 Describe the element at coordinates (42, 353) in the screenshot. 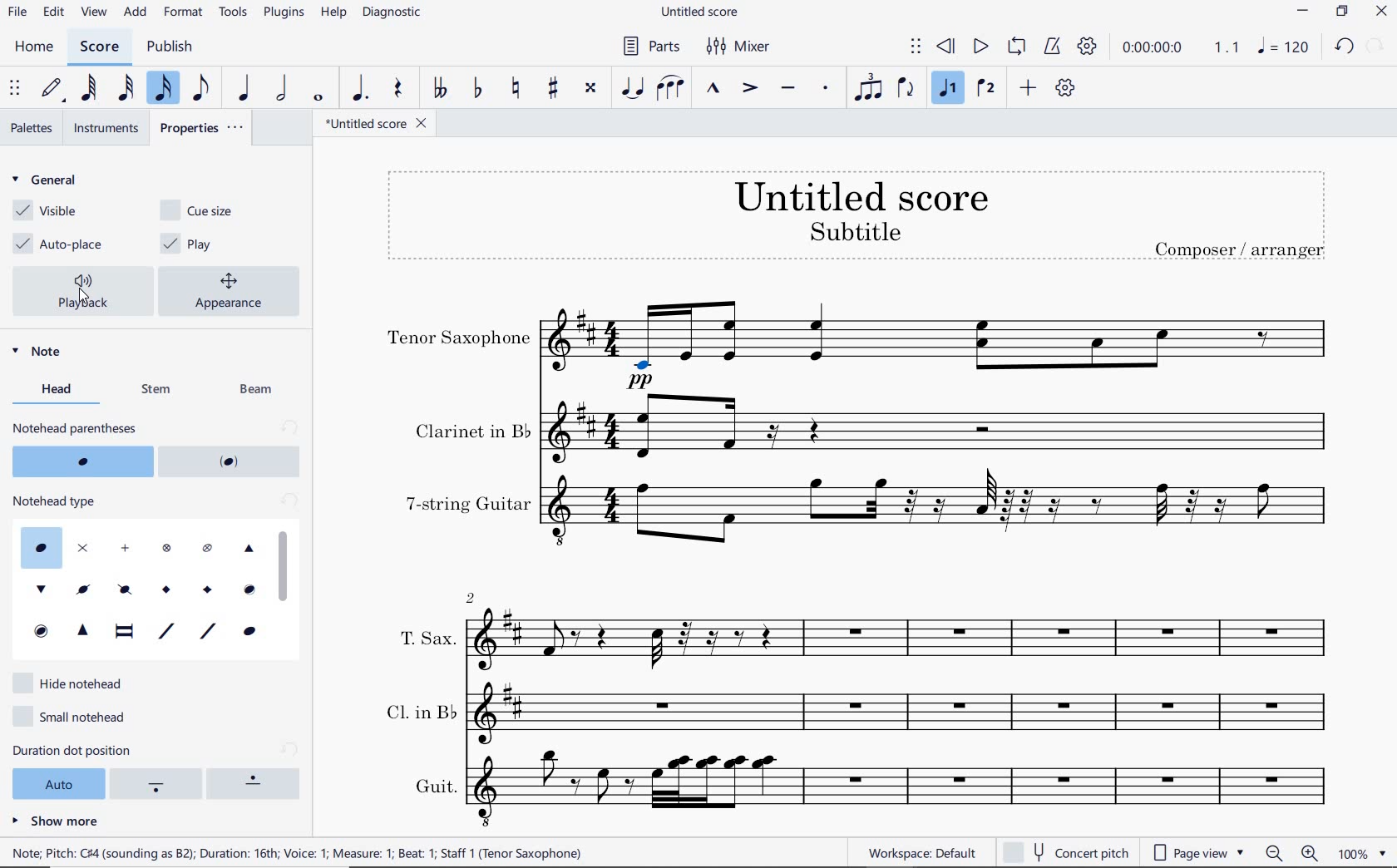

I see `note` at that location.